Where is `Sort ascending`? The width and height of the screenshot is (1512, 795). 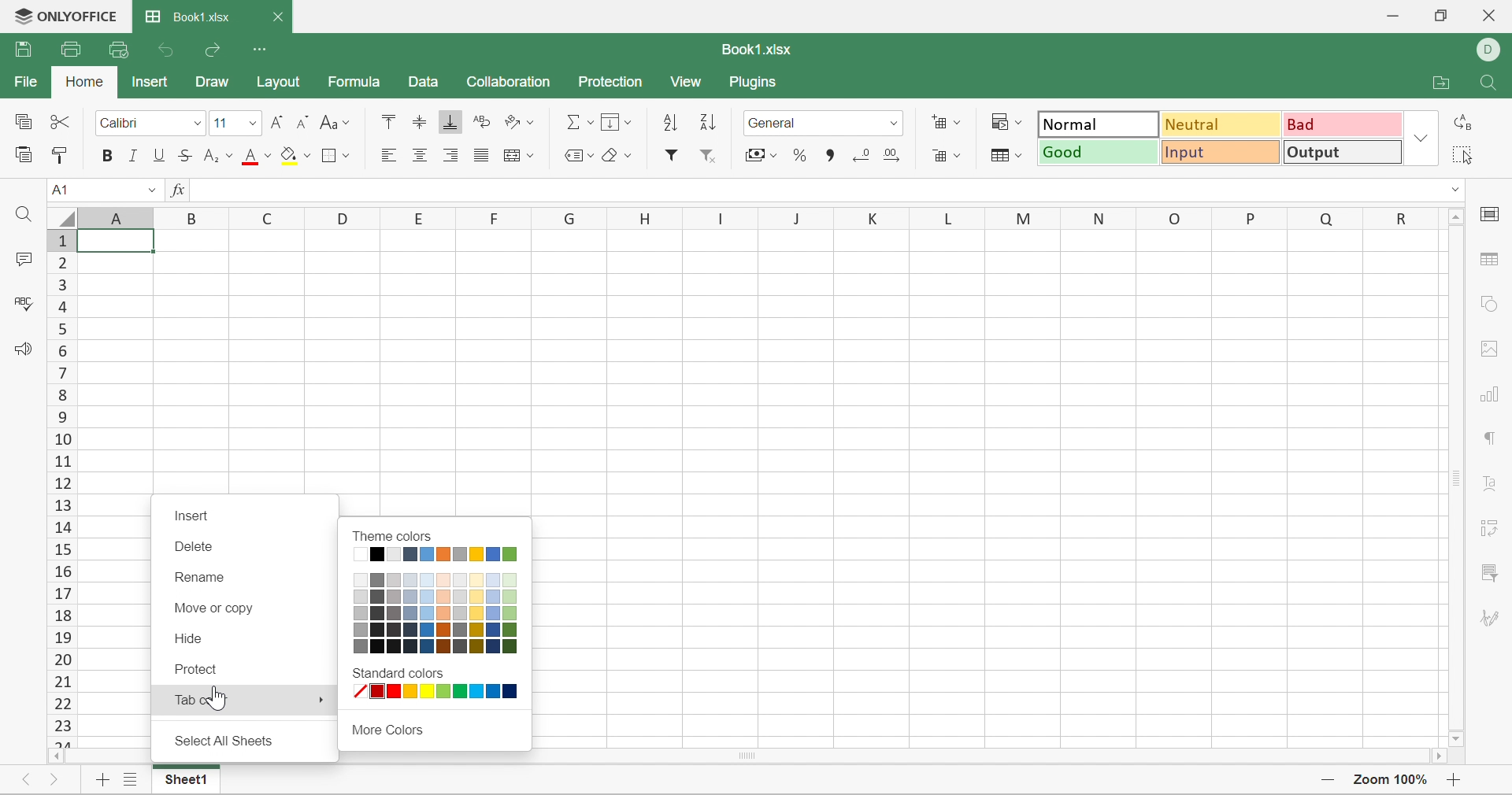 Sort ascending is located at coordinates (667, 122).